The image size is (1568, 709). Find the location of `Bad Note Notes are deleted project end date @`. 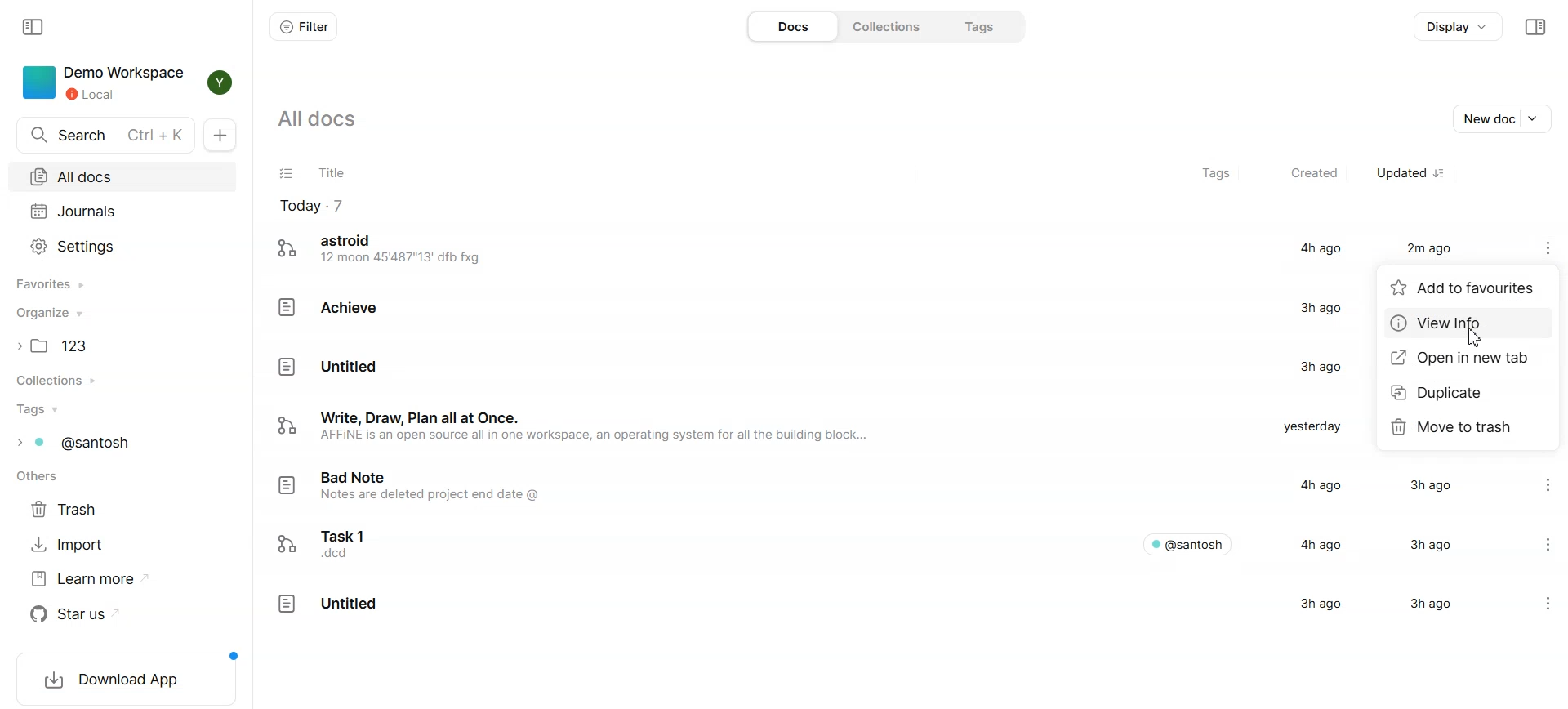

Bad Note Notes are deleted project end date @ is located at coordinates (425, 491).